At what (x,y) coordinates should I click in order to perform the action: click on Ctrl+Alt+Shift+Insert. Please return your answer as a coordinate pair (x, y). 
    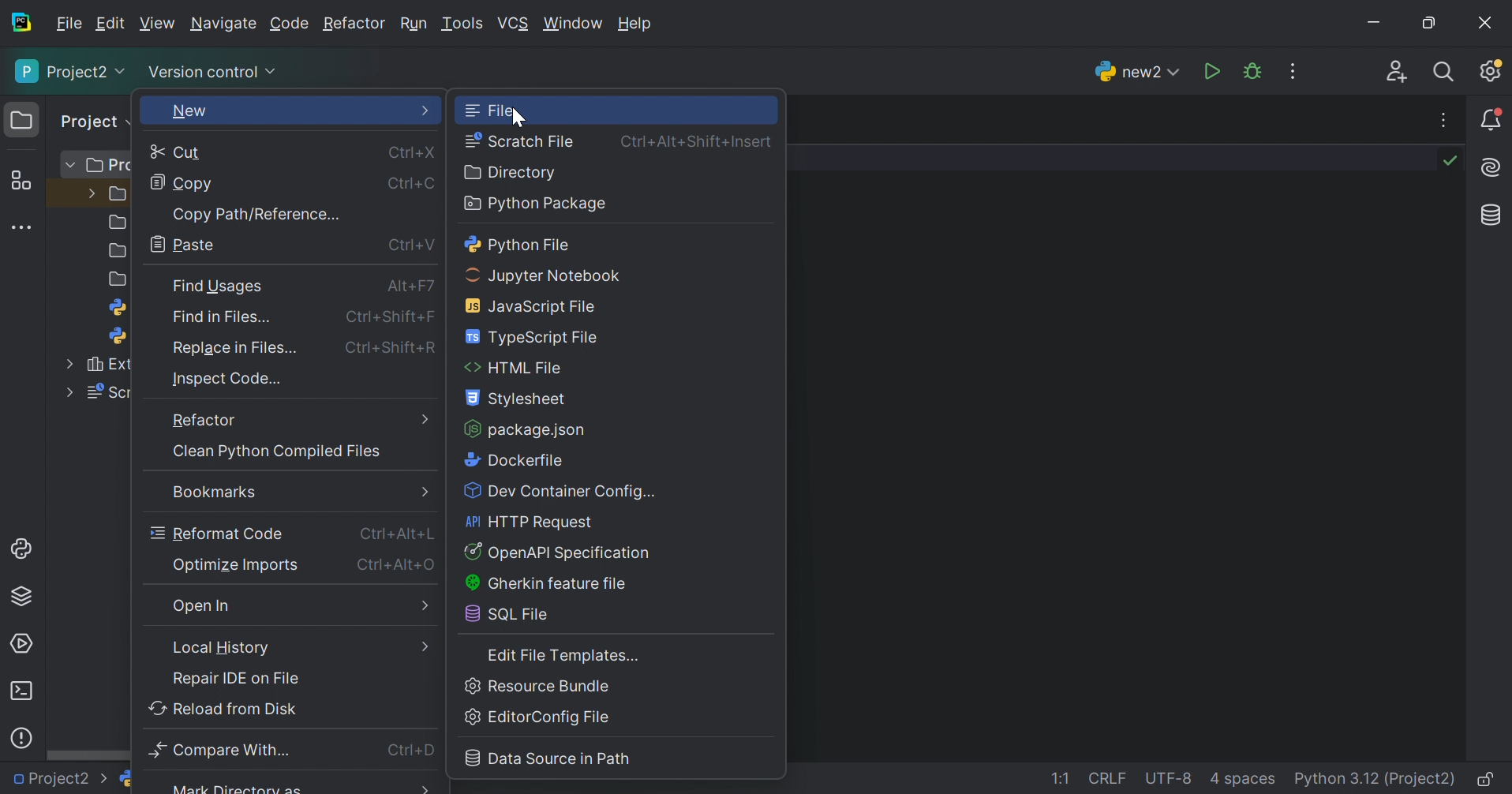
    Looking at the image, I should click on (699, 140).